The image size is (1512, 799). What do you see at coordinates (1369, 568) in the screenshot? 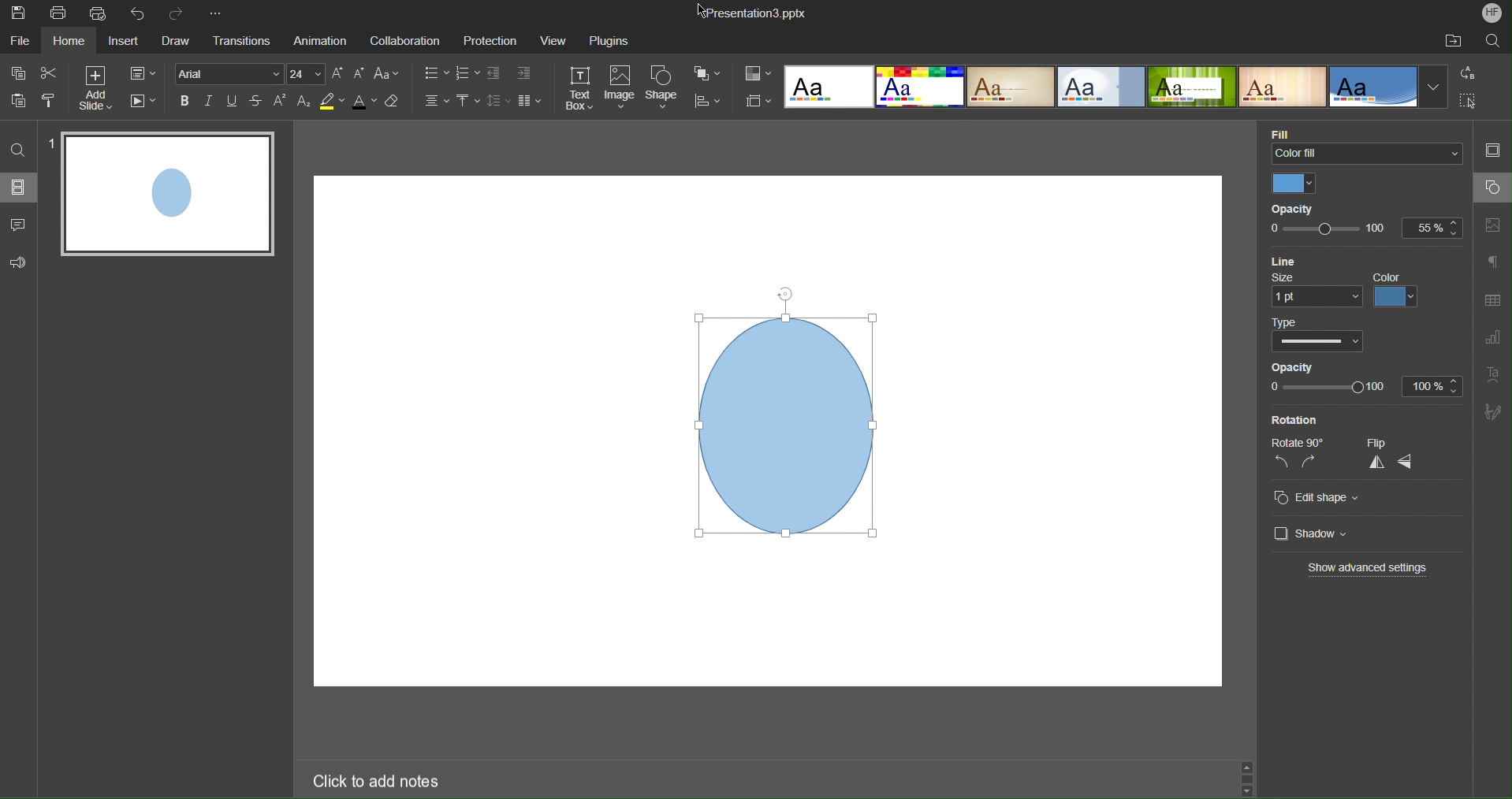
I see `Show advanced settings` at bounding box center [1369, 568].